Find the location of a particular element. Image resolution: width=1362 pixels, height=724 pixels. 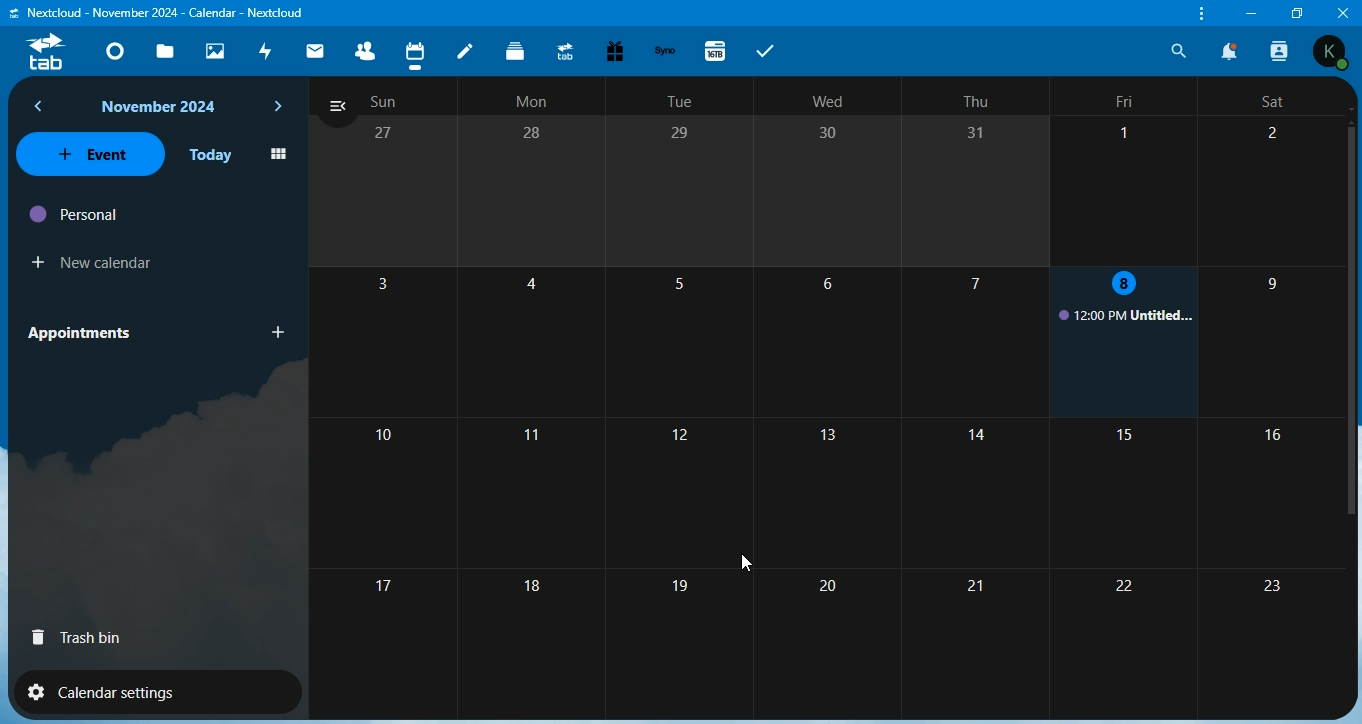

calendar is located at coordinates (416, 50).